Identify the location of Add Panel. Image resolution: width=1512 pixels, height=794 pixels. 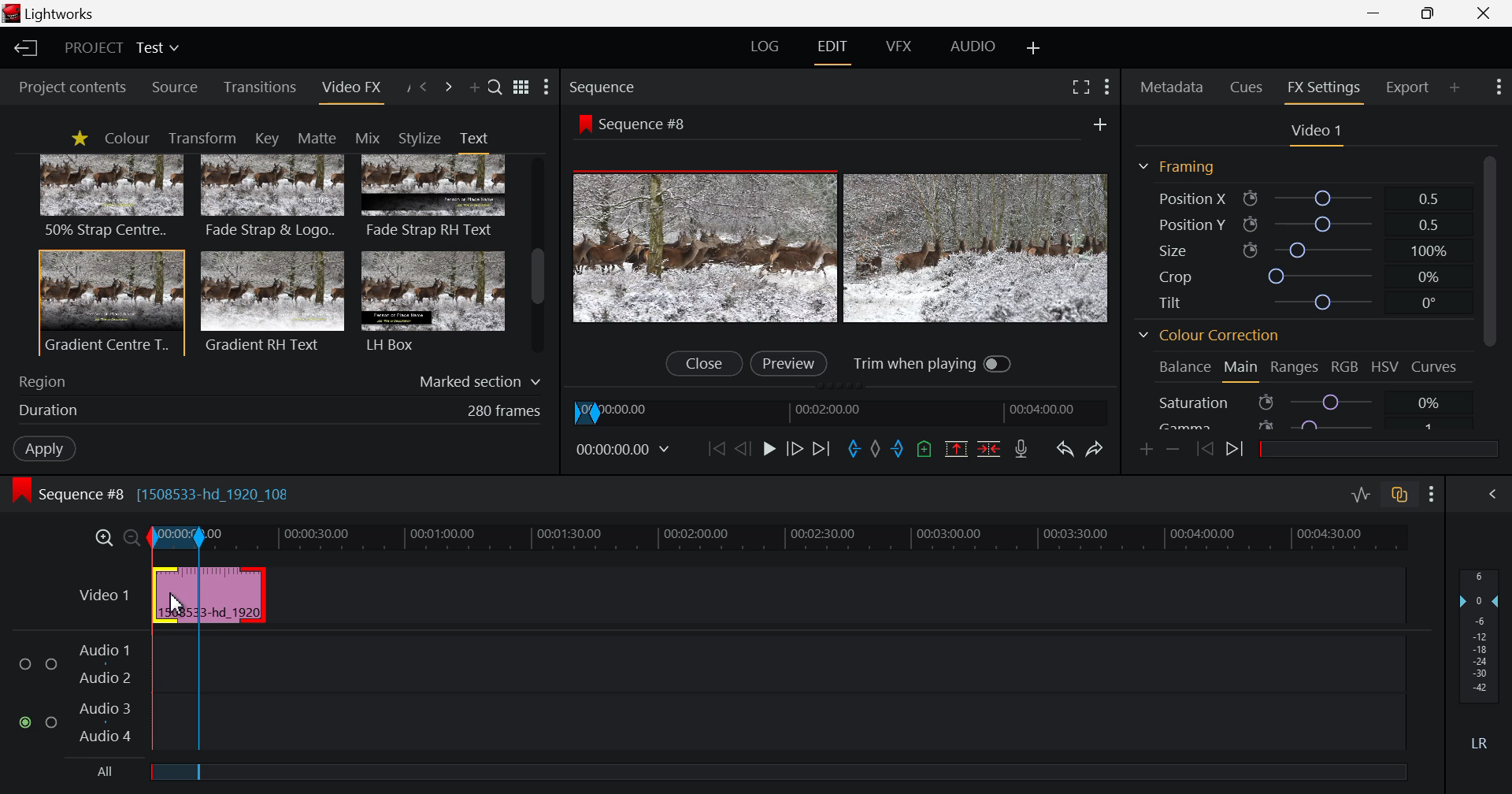
(1455, 85).